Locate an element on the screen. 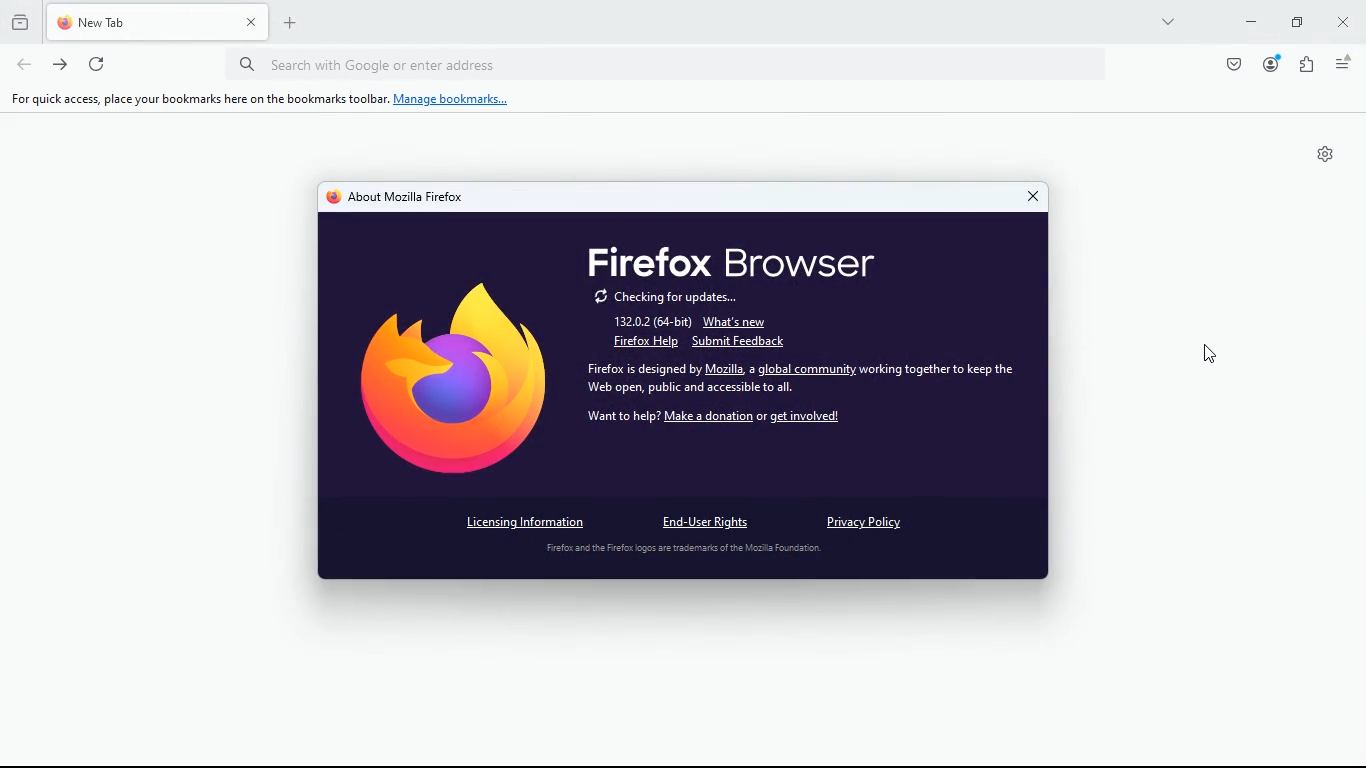 The image size is (1366, 768). back is located at coordinates (23, 65).